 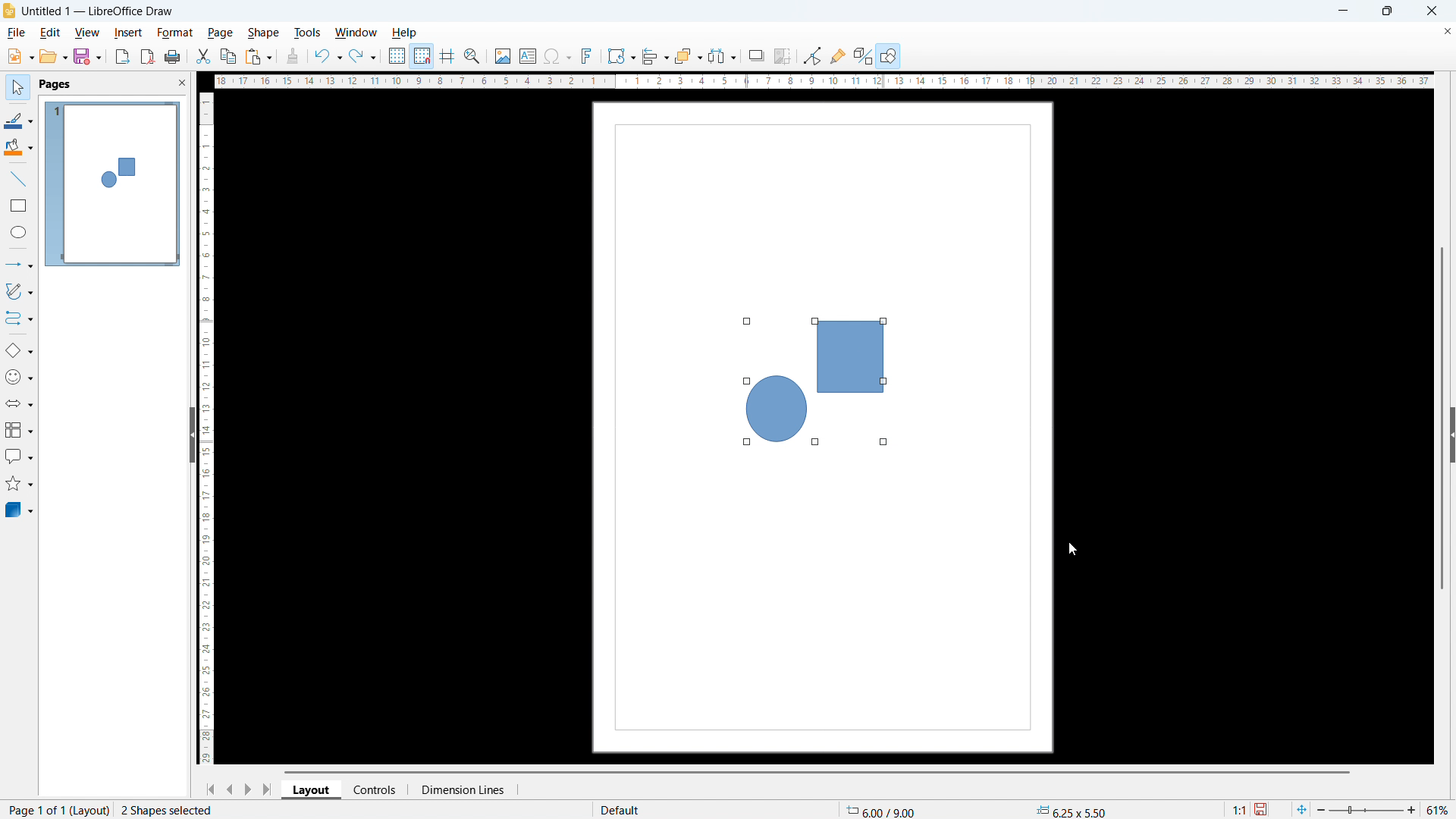 What do you see at coordinates (1263, 810) in the screenshot?
I see `save` at bounding box center [1263, 810].